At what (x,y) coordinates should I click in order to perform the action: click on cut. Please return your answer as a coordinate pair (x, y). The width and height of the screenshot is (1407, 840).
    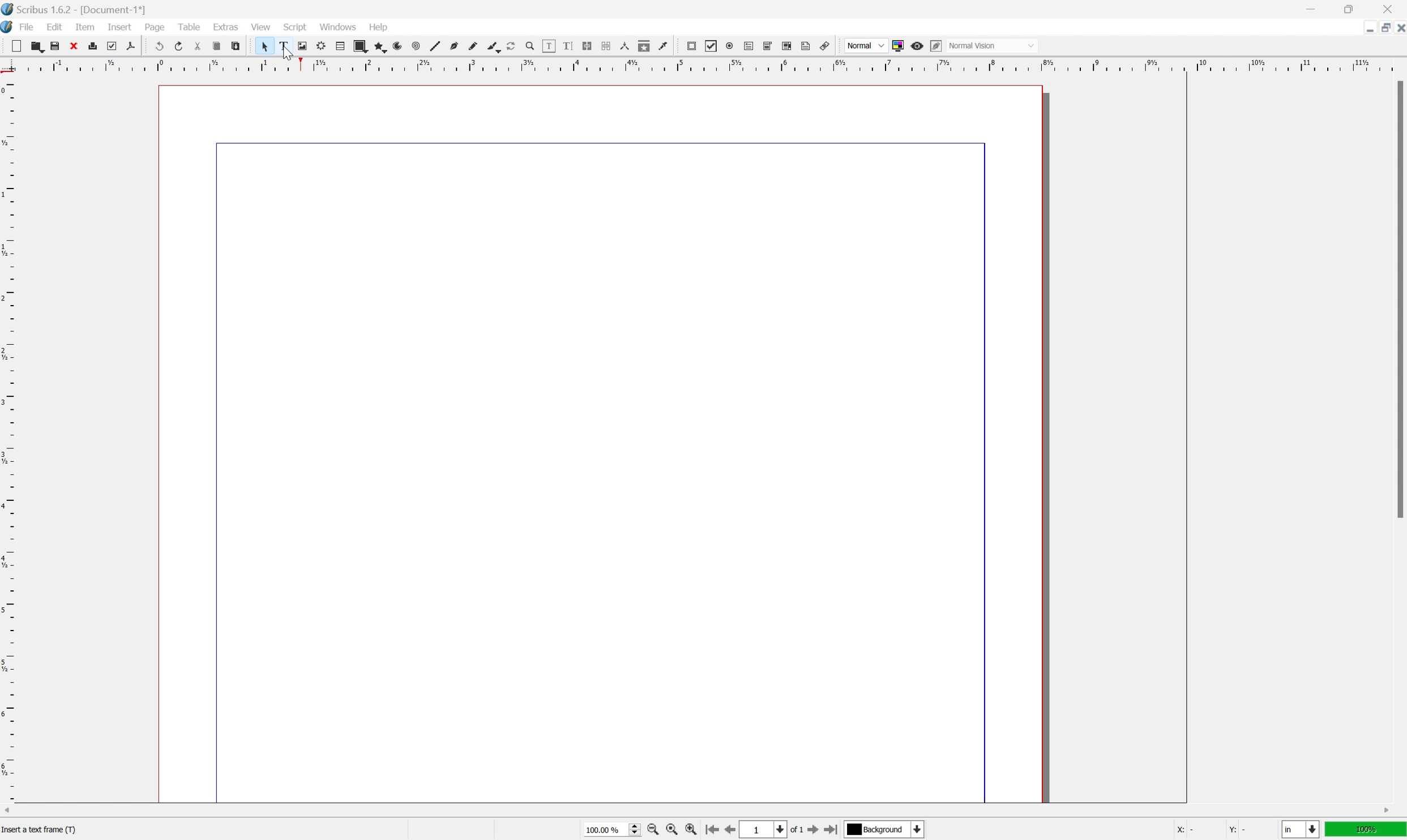
    Looking at the image, I should click on (198, 46).